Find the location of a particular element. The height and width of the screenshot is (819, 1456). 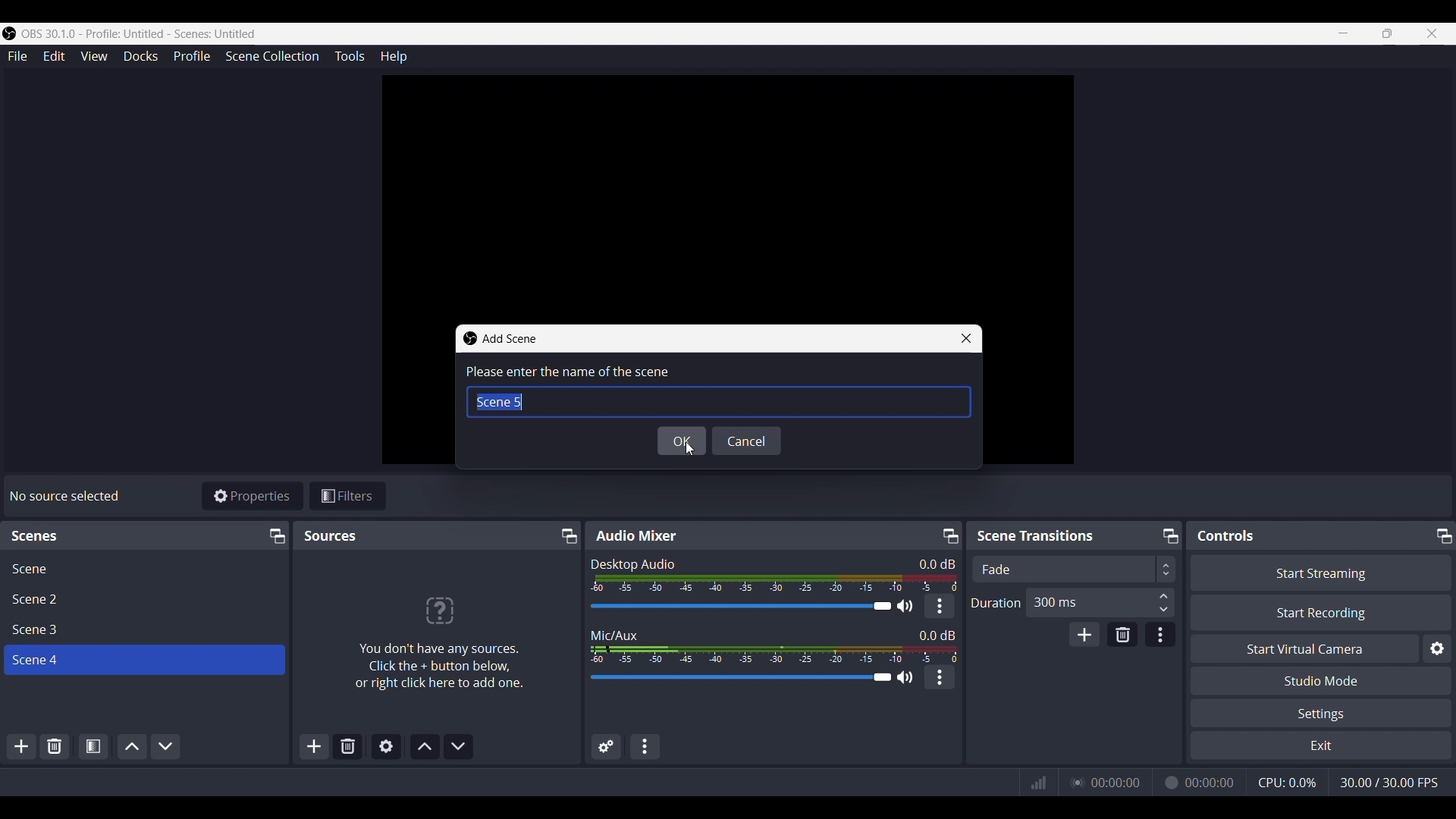

Minimize is located at coordinates (277, 536).